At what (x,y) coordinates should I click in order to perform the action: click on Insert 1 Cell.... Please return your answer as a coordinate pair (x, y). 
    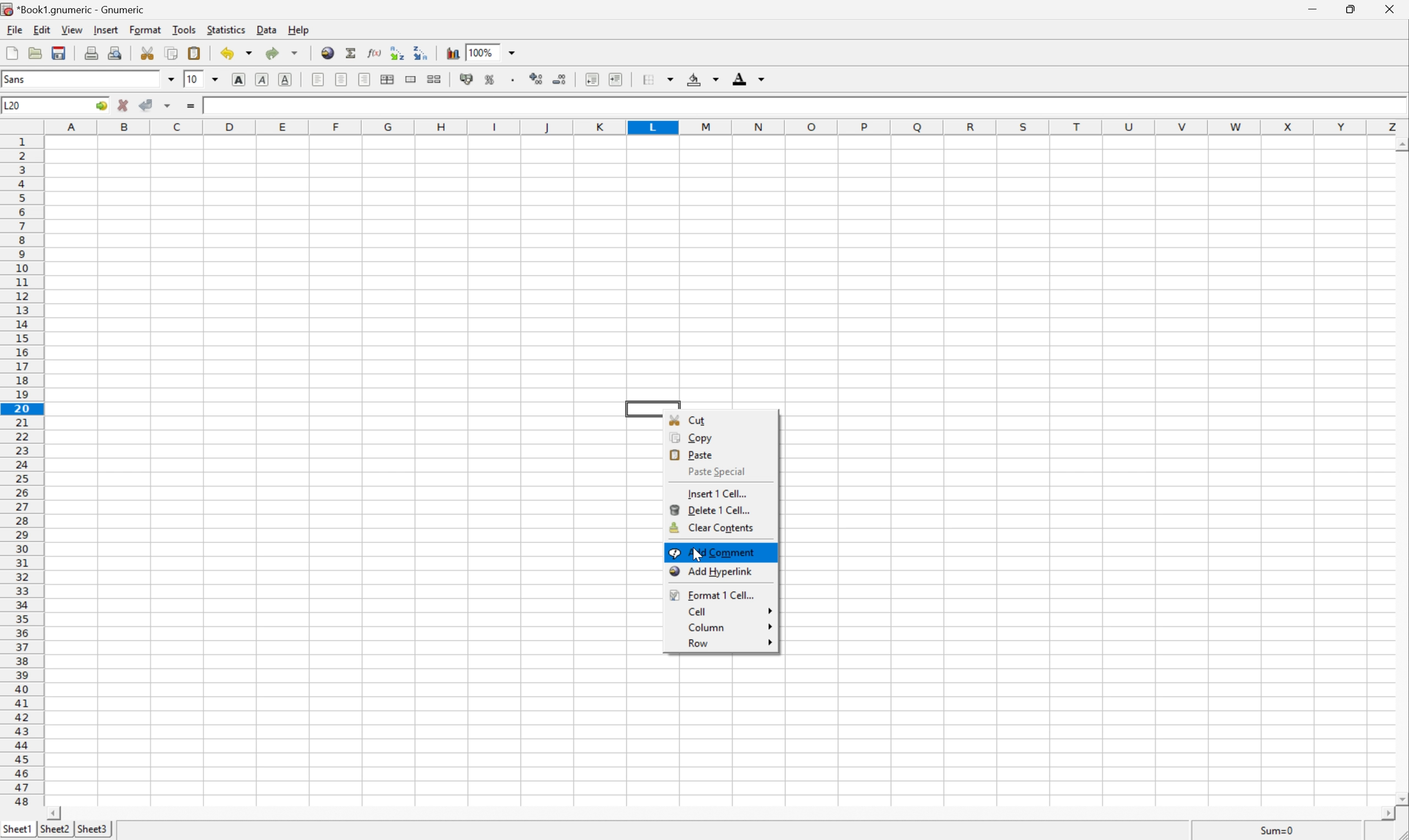
    Looking at the image, I should click on (719, 494).